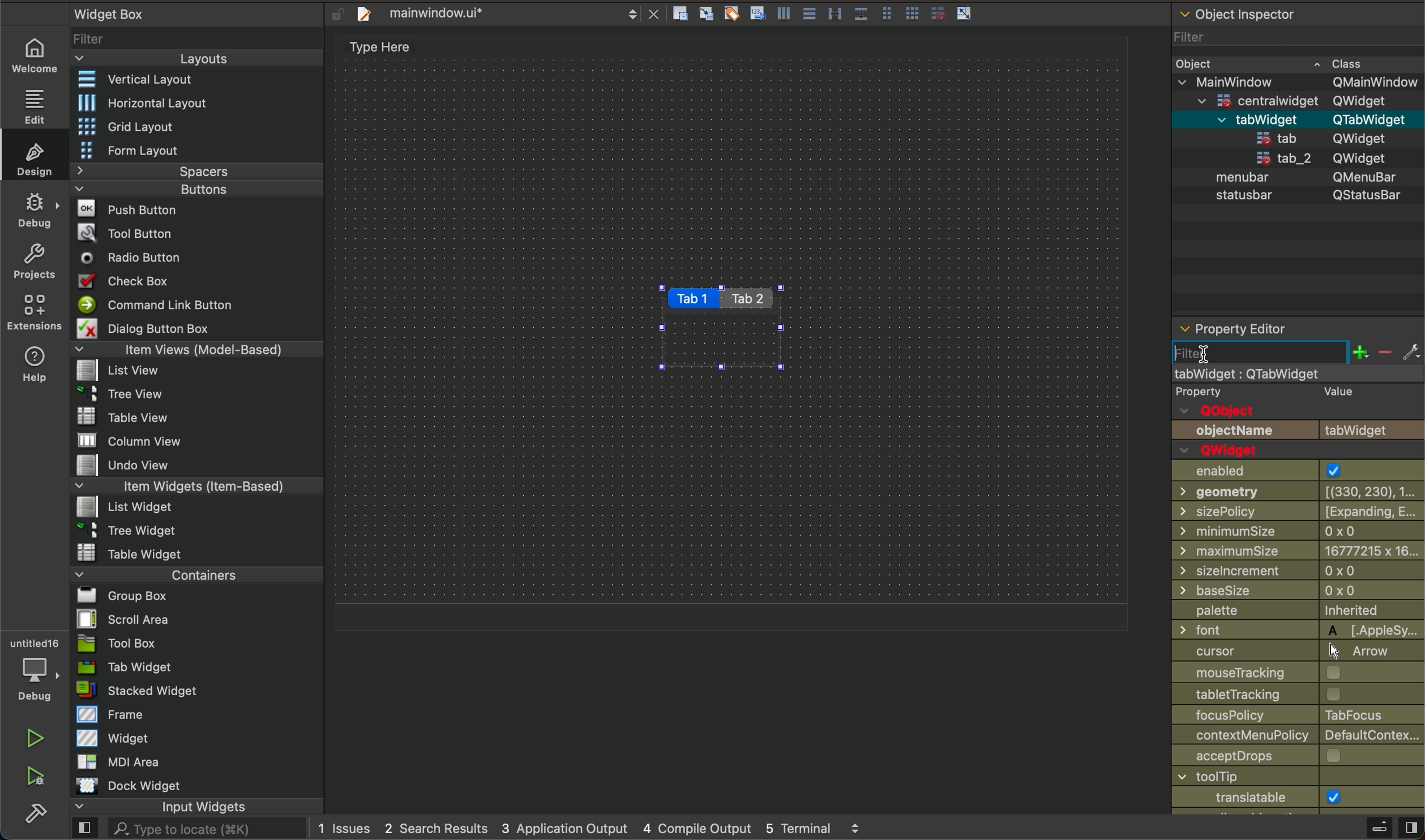 The width and height of the screenshot is (1425, 840). I want to click on Table Widget, so click(123, 552).